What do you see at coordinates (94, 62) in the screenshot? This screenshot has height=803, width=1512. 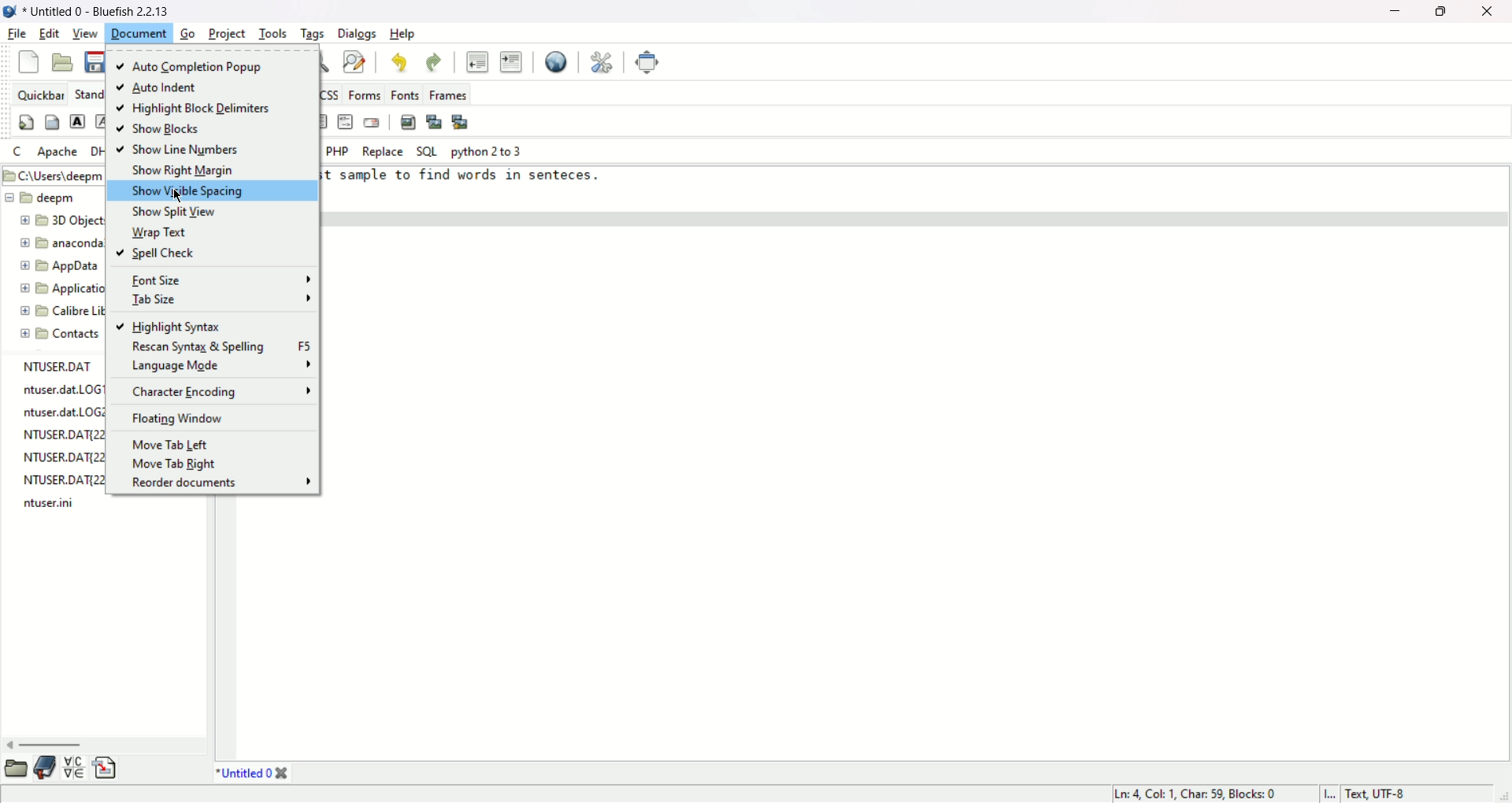 I see `save` at bounding box center [94, 62].